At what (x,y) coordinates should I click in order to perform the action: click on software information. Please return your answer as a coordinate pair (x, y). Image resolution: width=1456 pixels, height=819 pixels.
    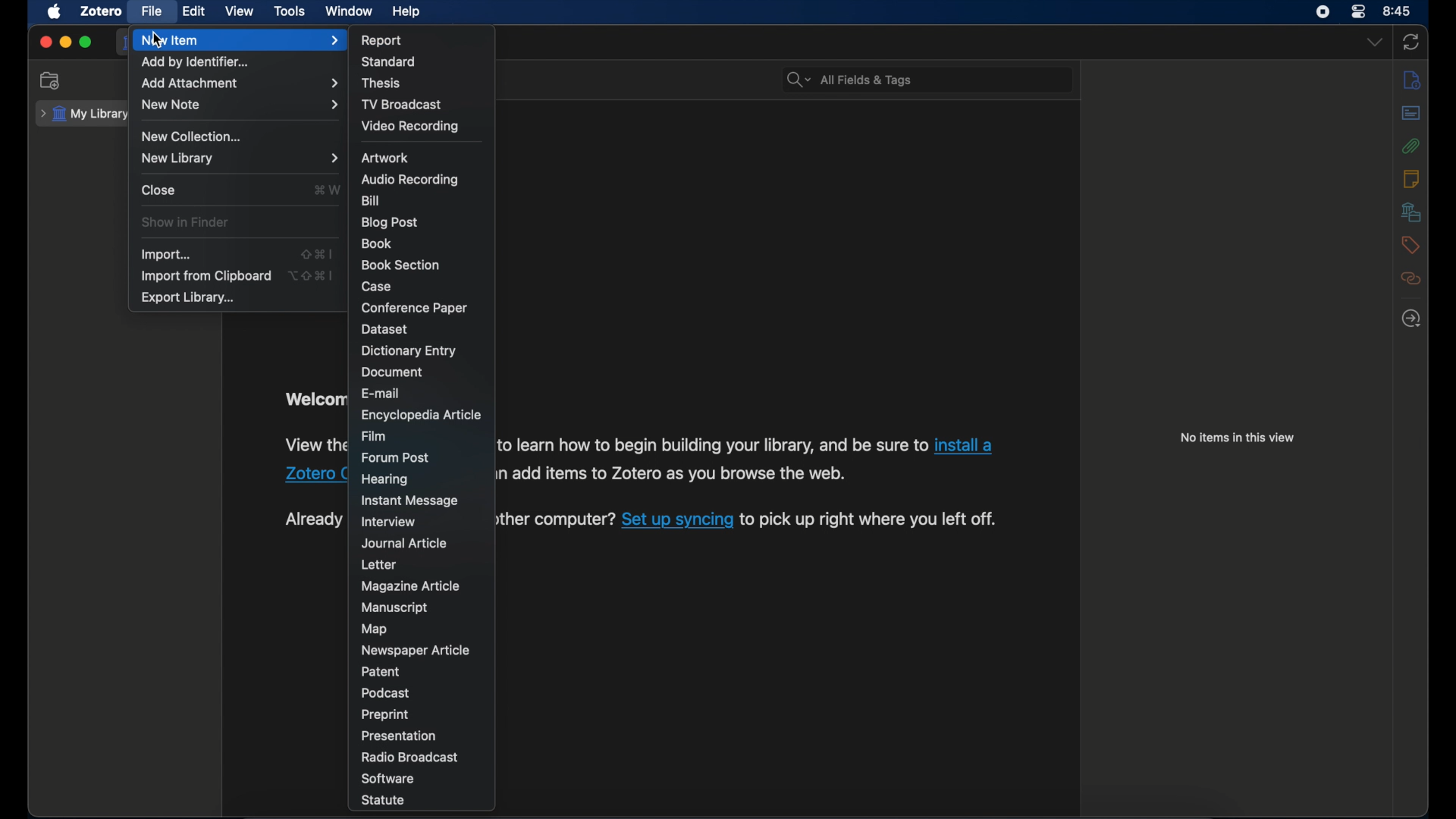
    Looking at the image, I should click on (314, 444).